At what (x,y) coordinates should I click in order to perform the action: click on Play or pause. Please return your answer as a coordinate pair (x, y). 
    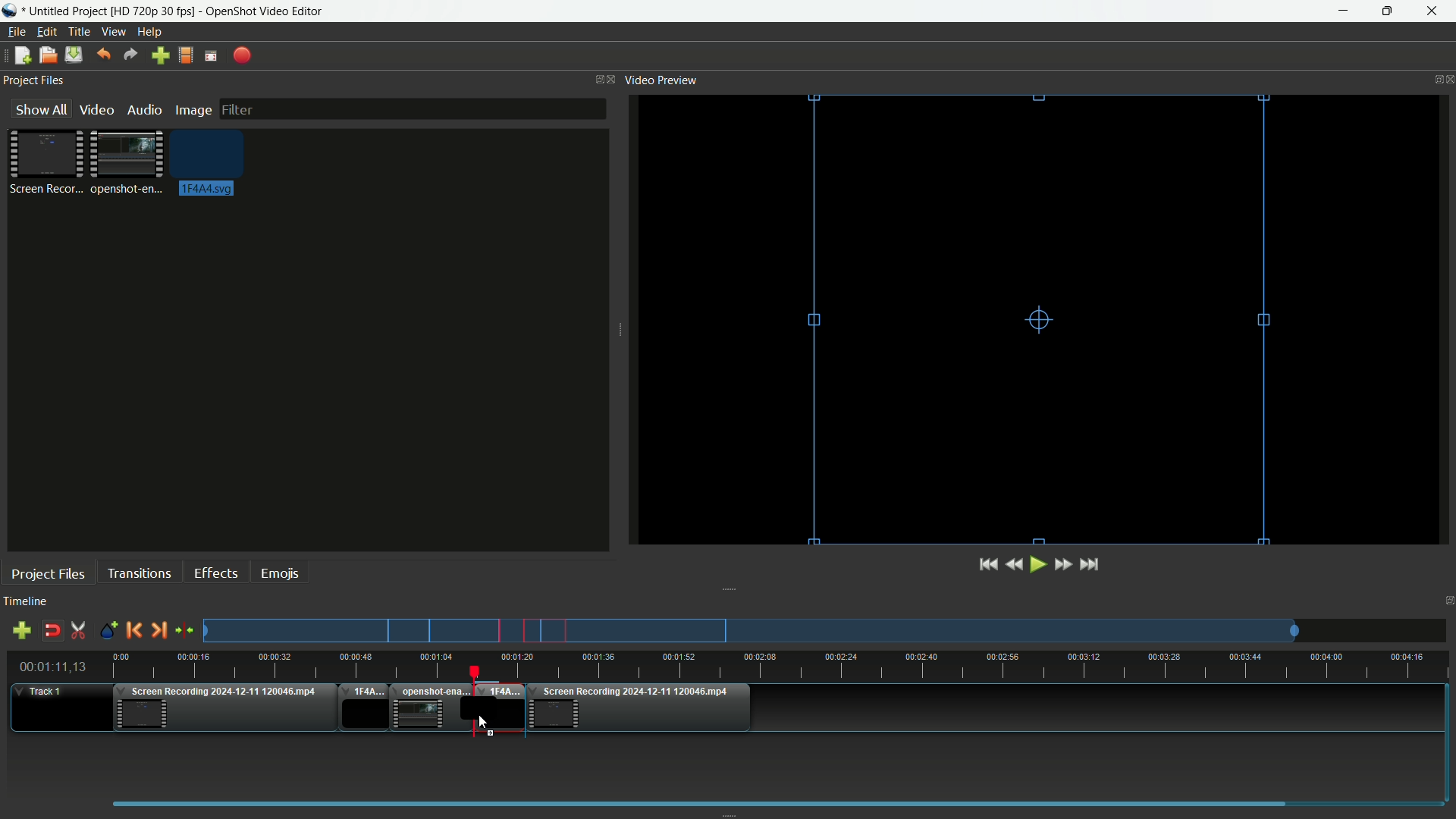
    Looking at the image, I should click on (1040, 565).